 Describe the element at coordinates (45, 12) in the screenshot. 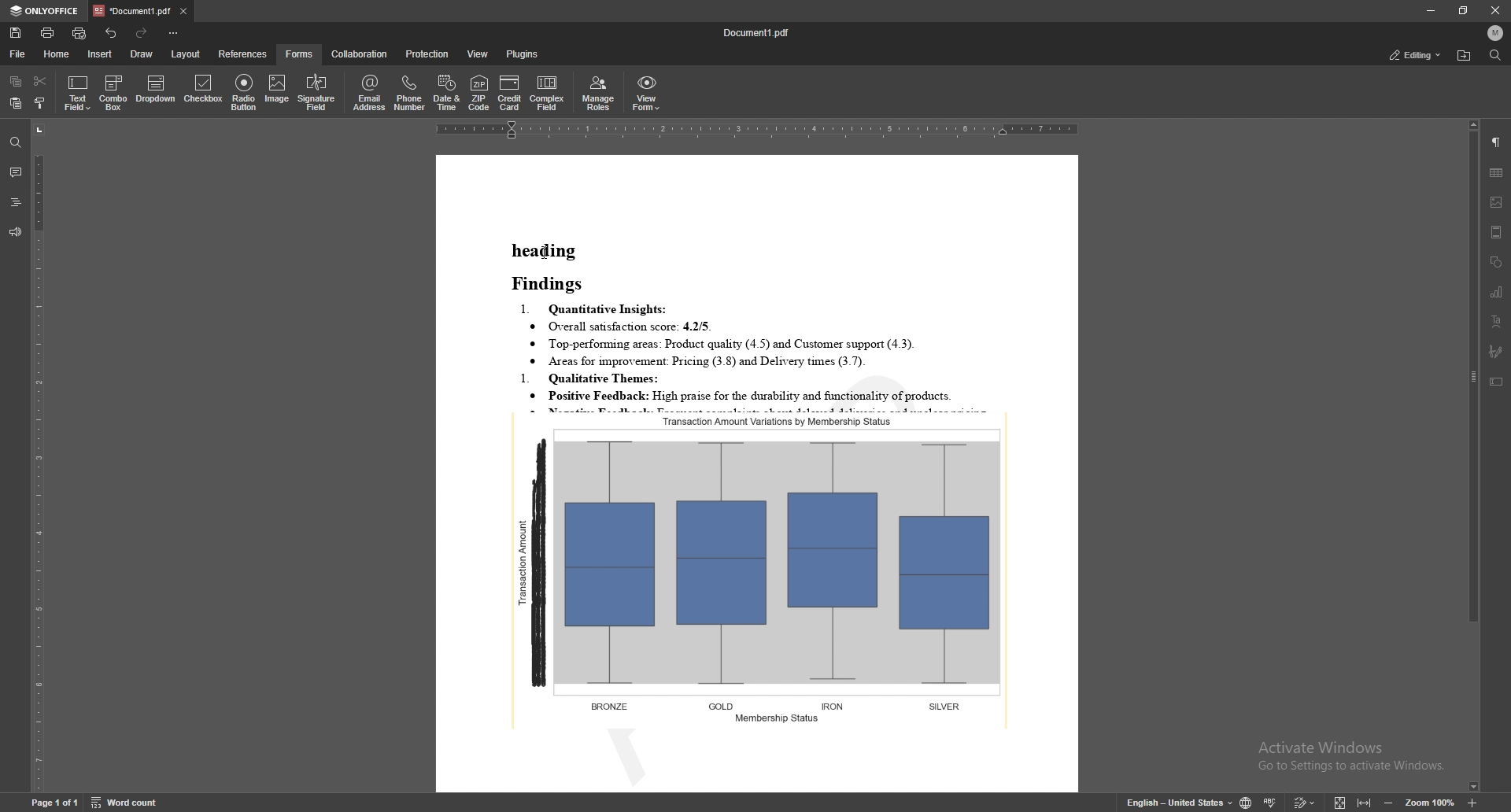

I see `onlyoffice` at that location.